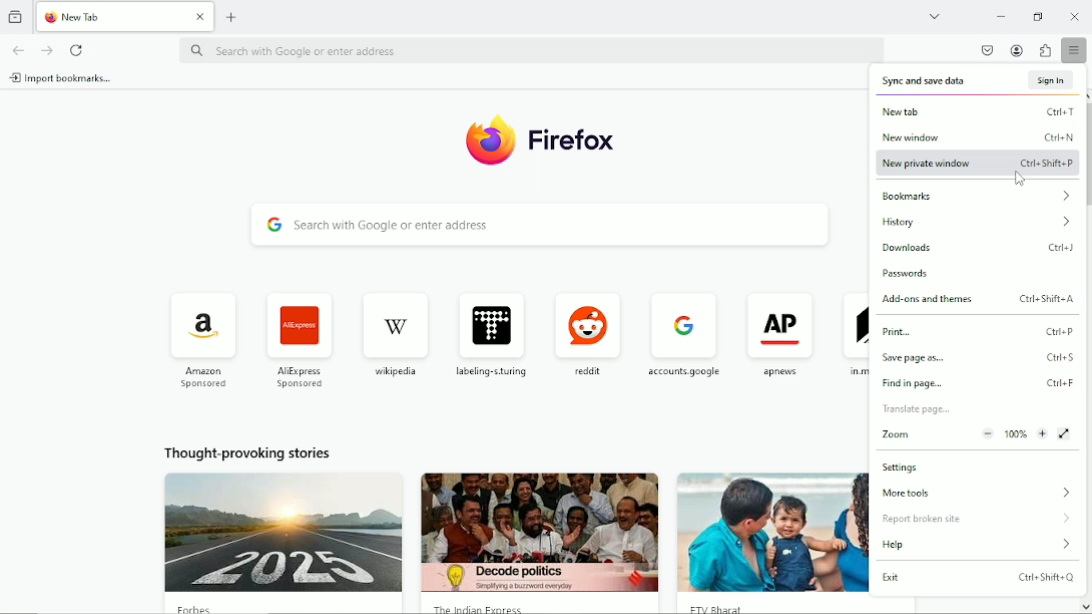  What do you see at coordinates (19, 49) in the screenshot?
I see `go back` at bounding box center [19, 49].